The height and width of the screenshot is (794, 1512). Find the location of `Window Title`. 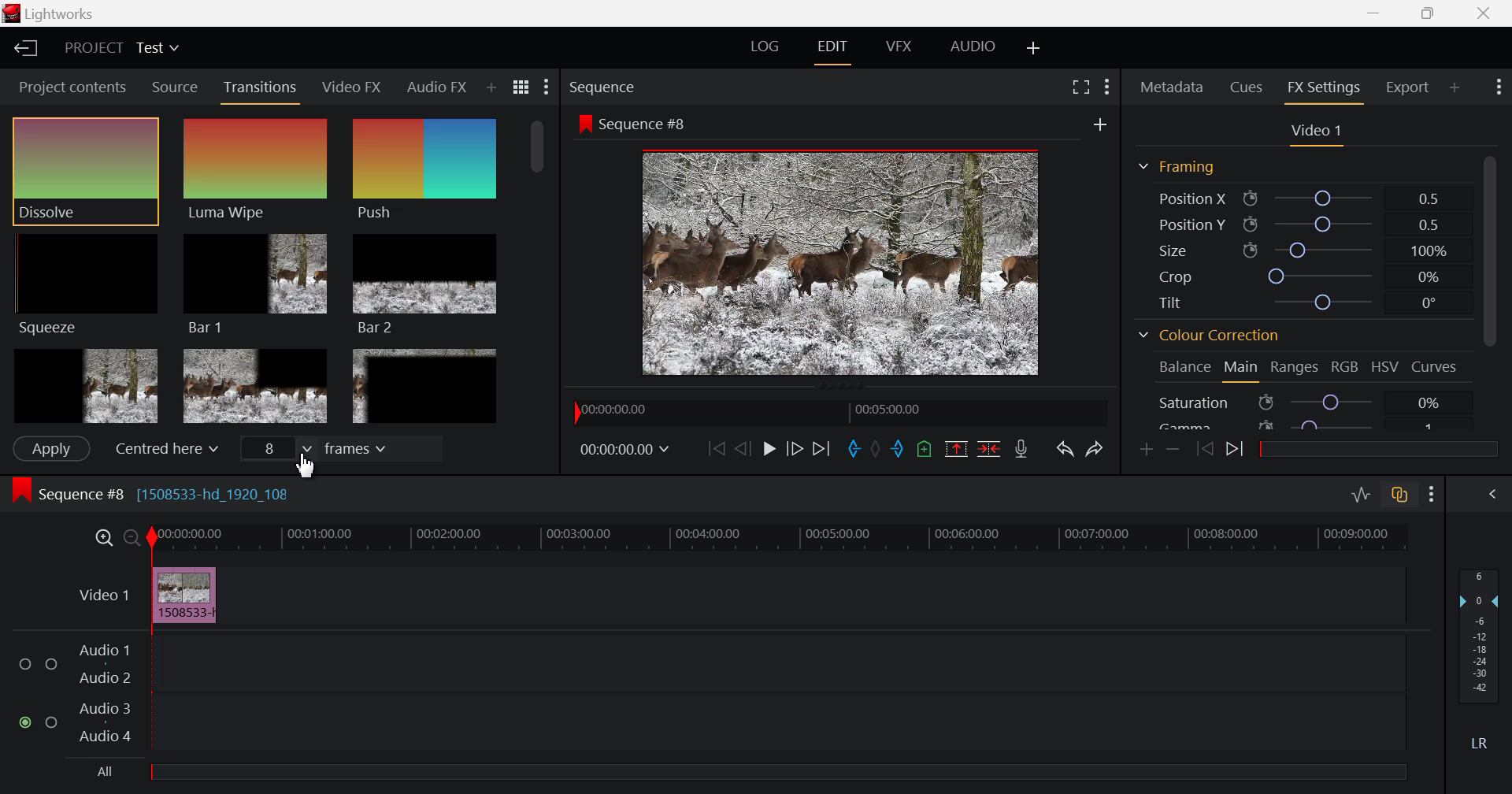

Window Title is located at coordinates (47, 13).